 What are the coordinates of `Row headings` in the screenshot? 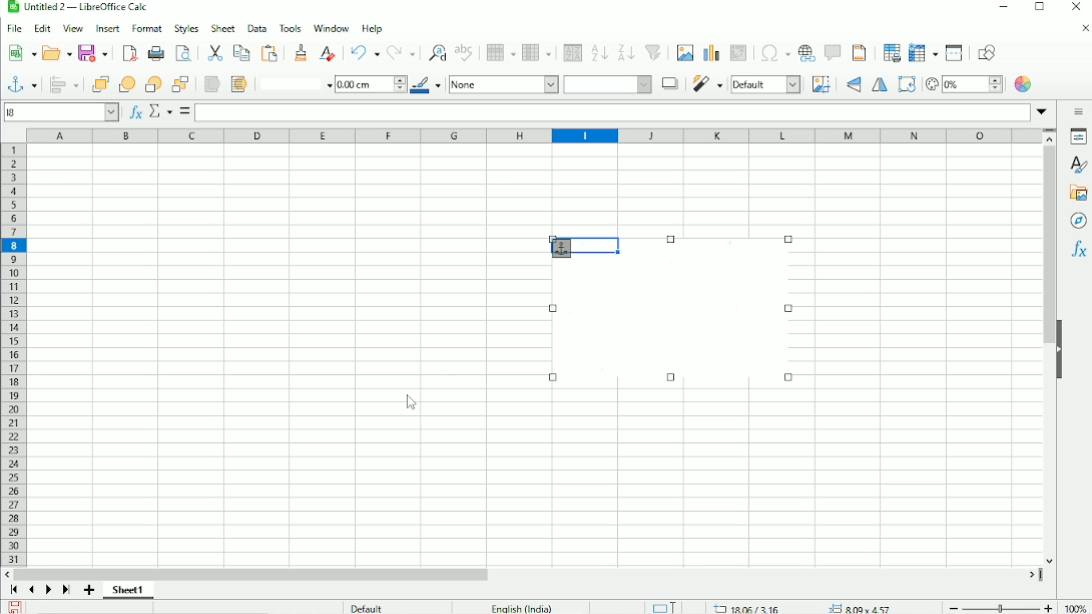 It's located at (15, 356).